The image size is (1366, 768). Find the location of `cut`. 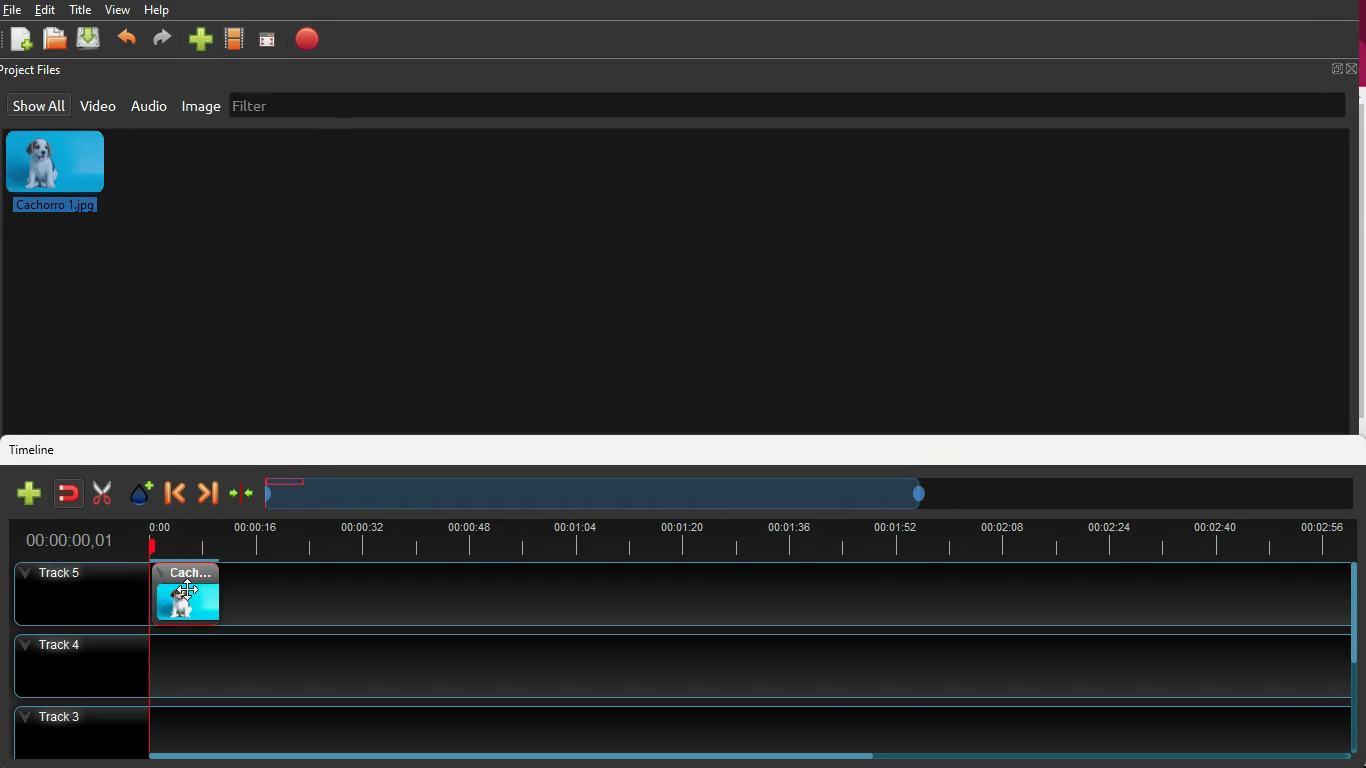

cut is located at coordinates (101, 491).